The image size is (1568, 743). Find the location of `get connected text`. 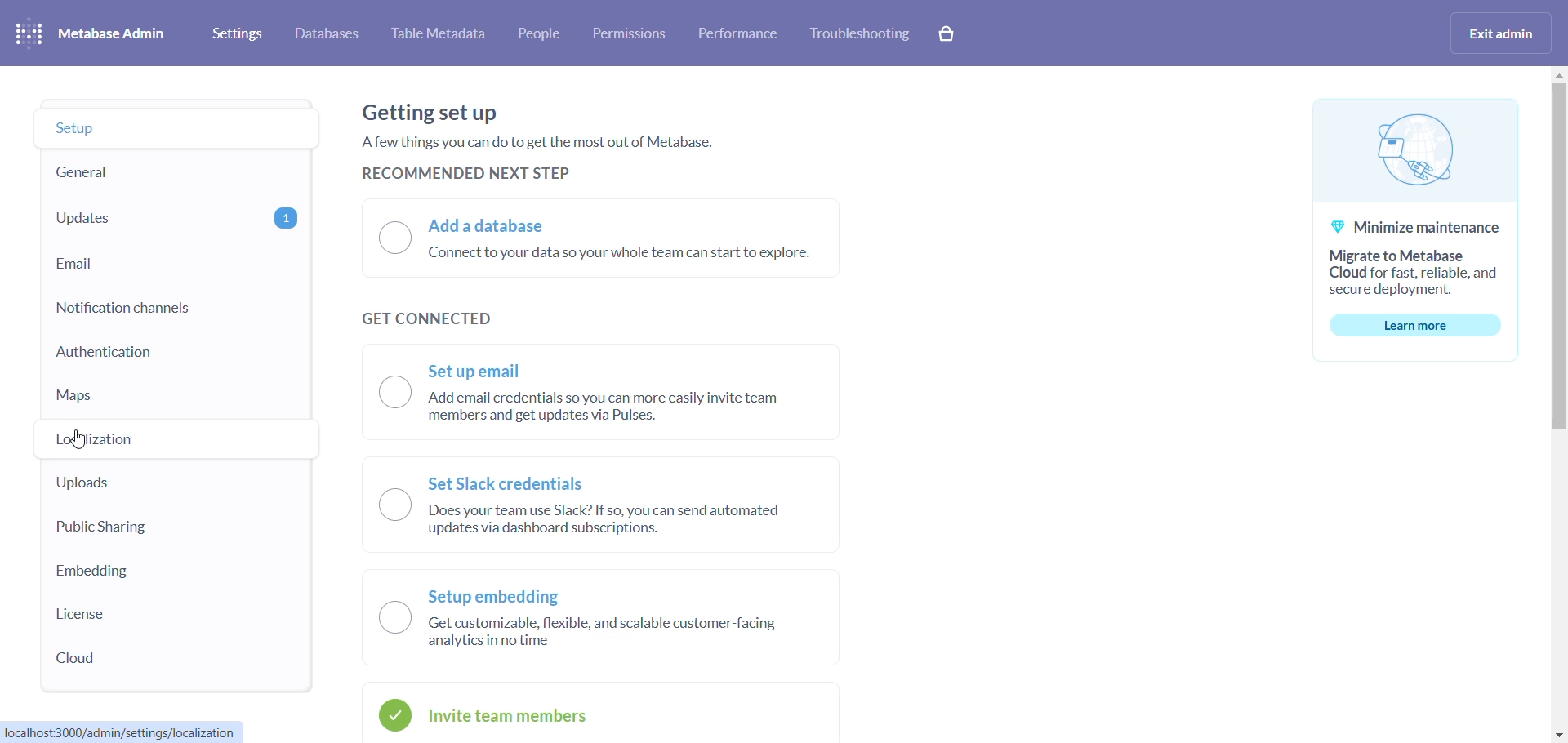

get connected text is located at coordinates (443, 316).